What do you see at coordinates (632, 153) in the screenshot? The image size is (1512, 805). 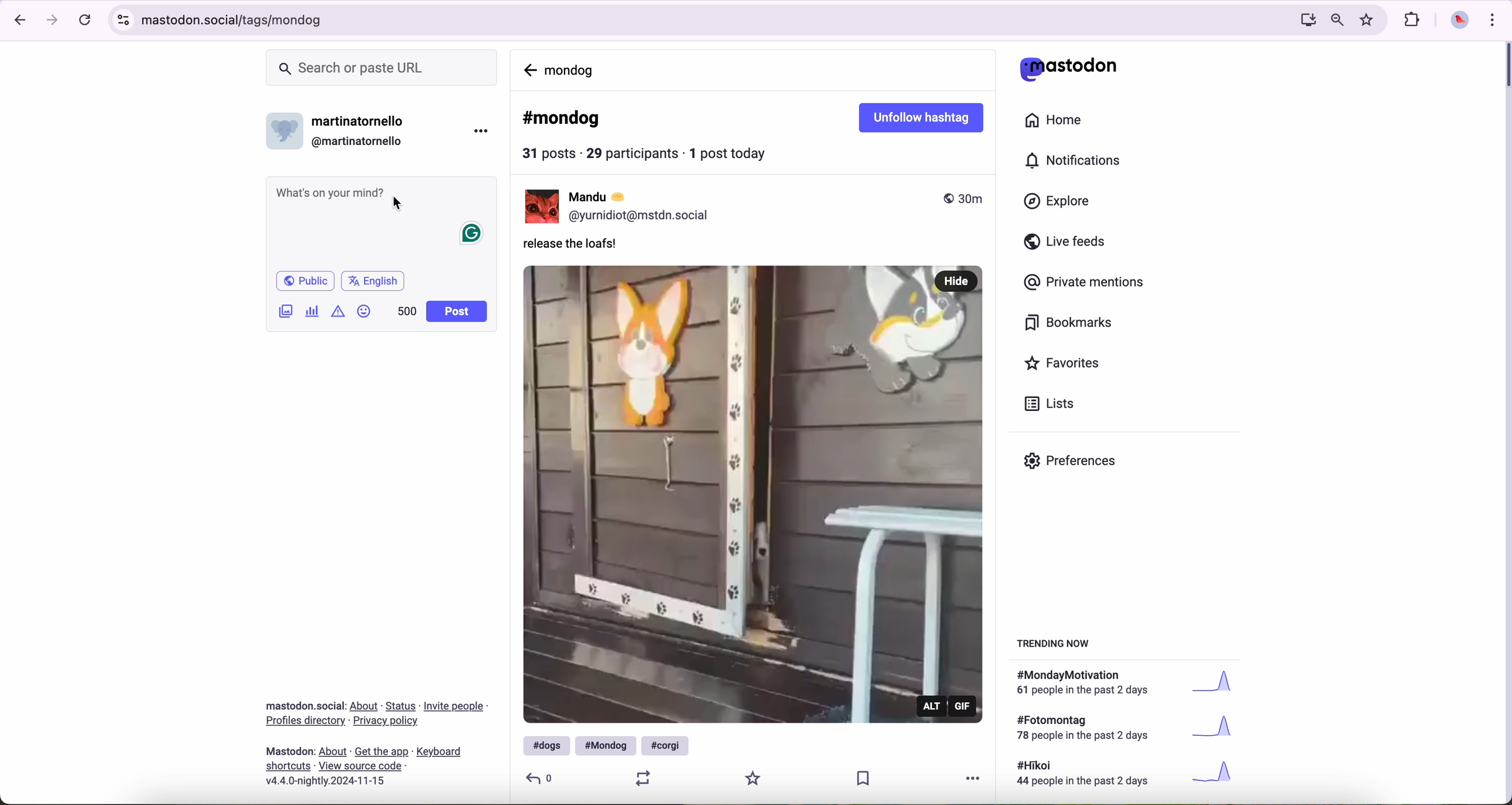 I see `29 participants` at bounding box center [632, 153].